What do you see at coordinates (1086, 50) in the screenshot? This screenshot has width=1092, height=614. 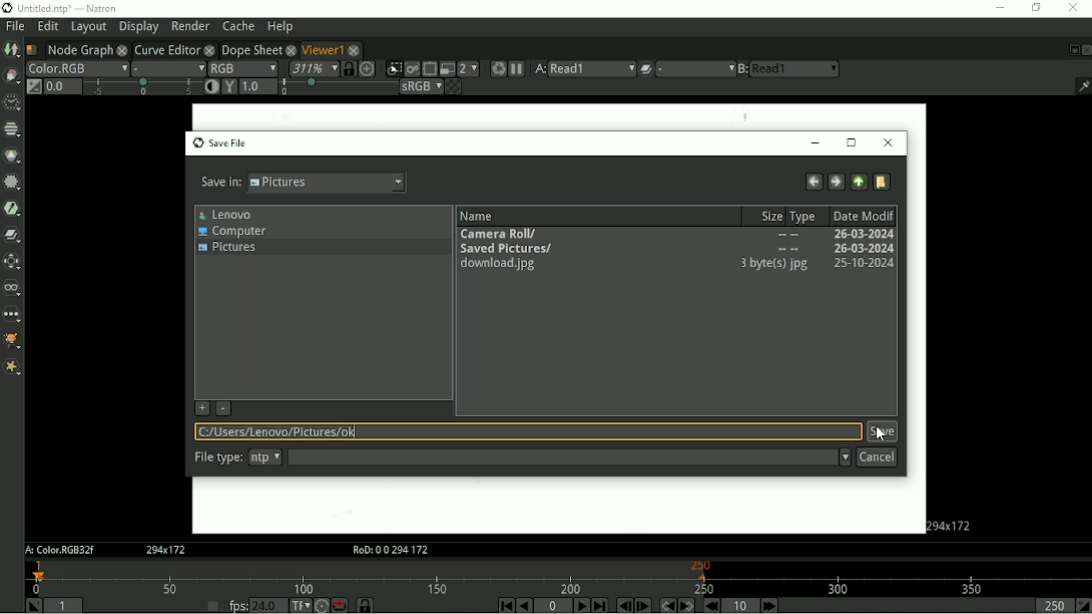 I see `Close` at bounding box center [1086, 50].